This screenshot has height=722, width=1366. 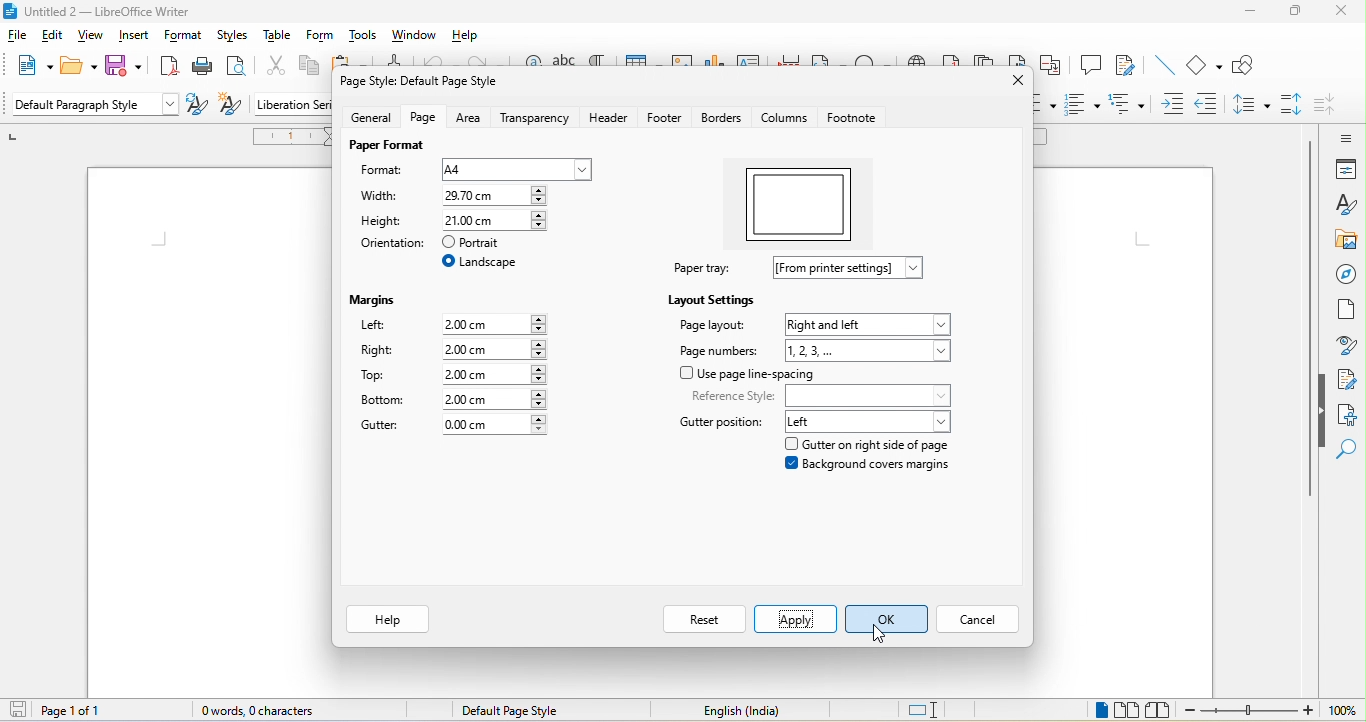 I want to click on page, so click(x=1347, y=316).